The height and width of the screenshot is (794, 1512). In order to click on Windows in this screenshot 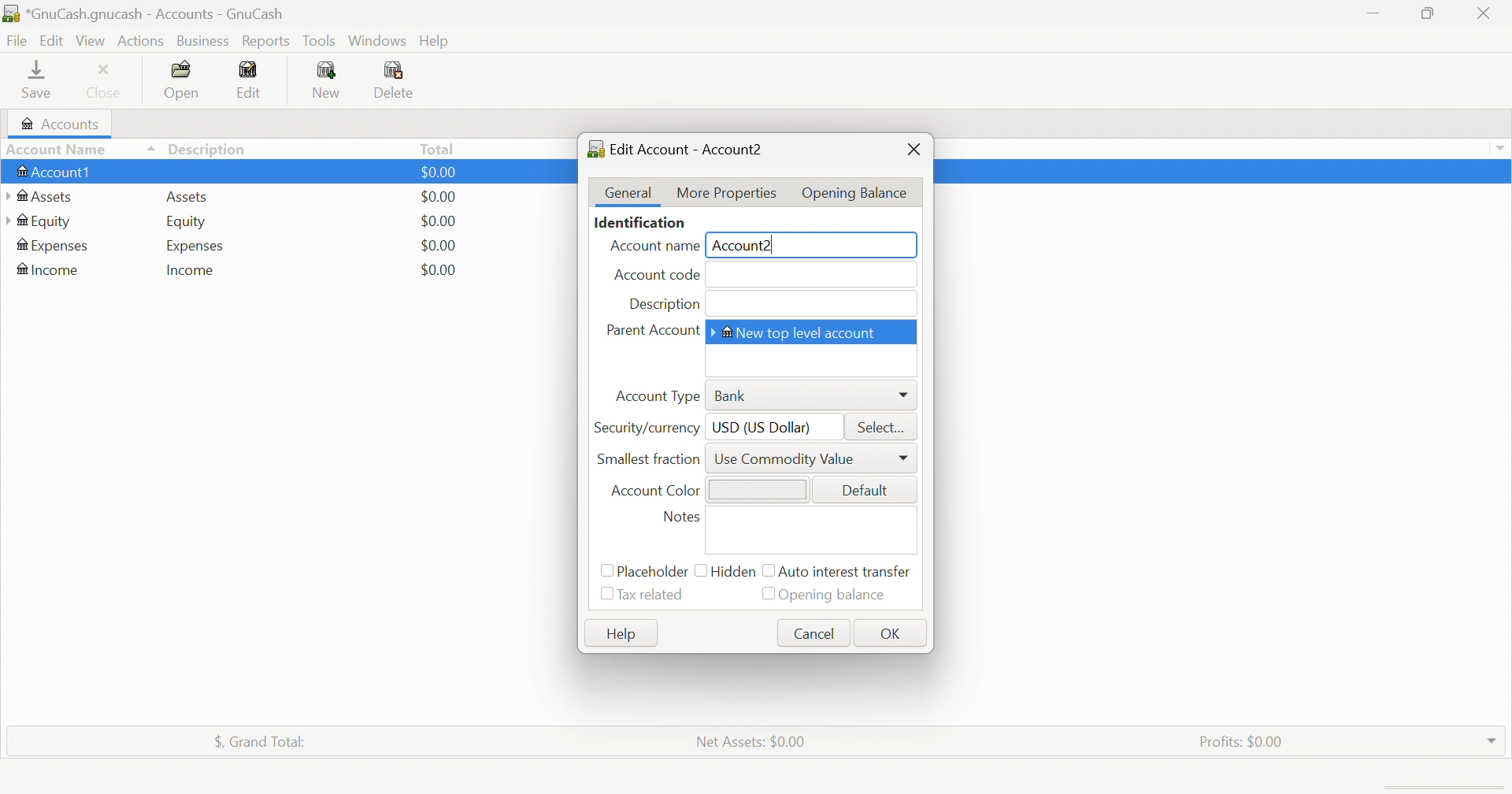, I will do `click(376, 39)`.